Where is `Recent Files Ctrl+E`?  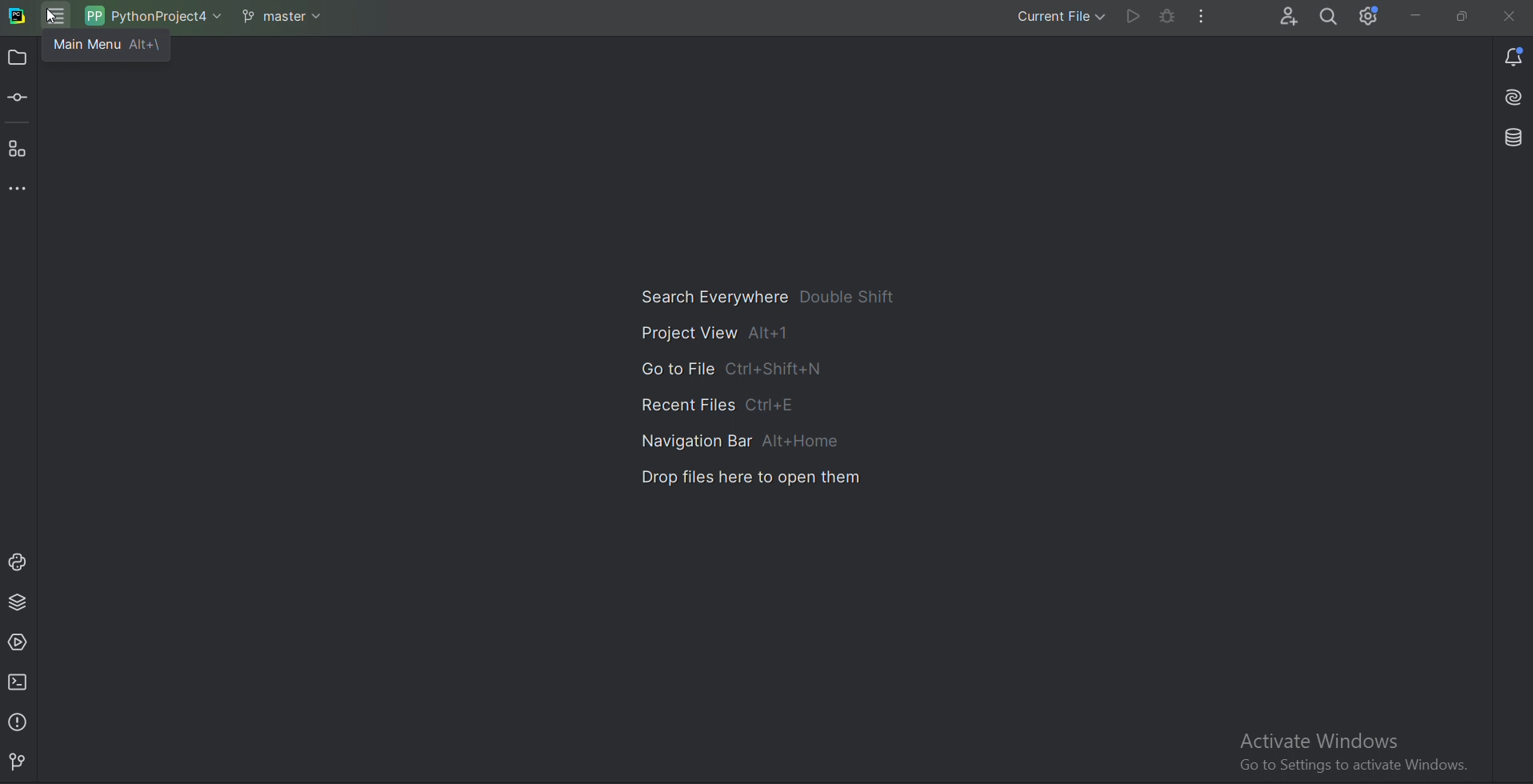 Recent Files Ctrl+E is located at coordinates (725, 404).